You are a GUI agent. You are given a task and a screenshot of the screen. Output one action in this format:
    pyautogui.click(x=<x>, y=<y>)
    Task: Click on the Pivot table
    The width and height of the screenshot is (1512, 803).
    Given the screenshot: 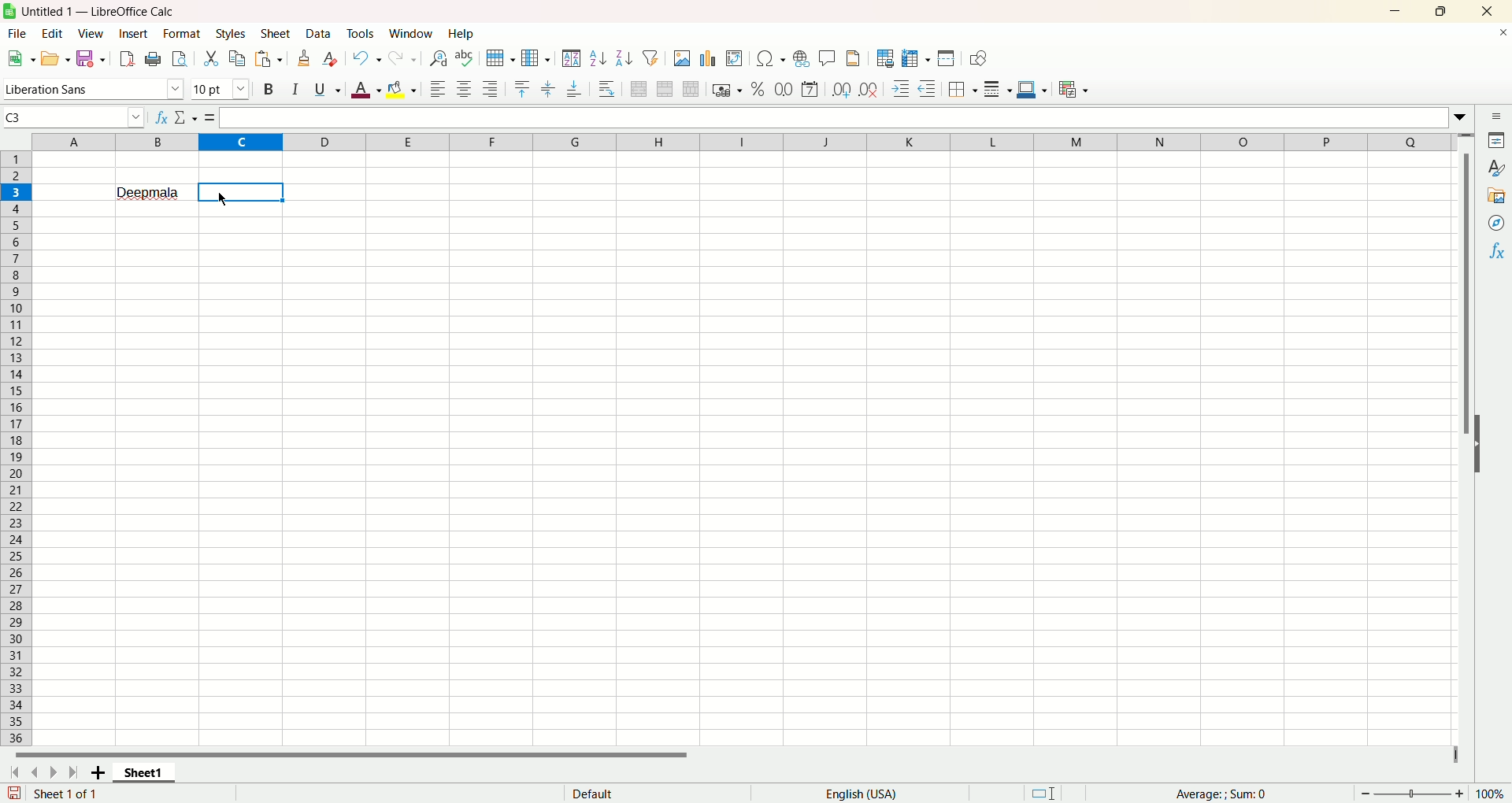 What is the action you would take?
    pyautogui.click(x=735, y=59)
    